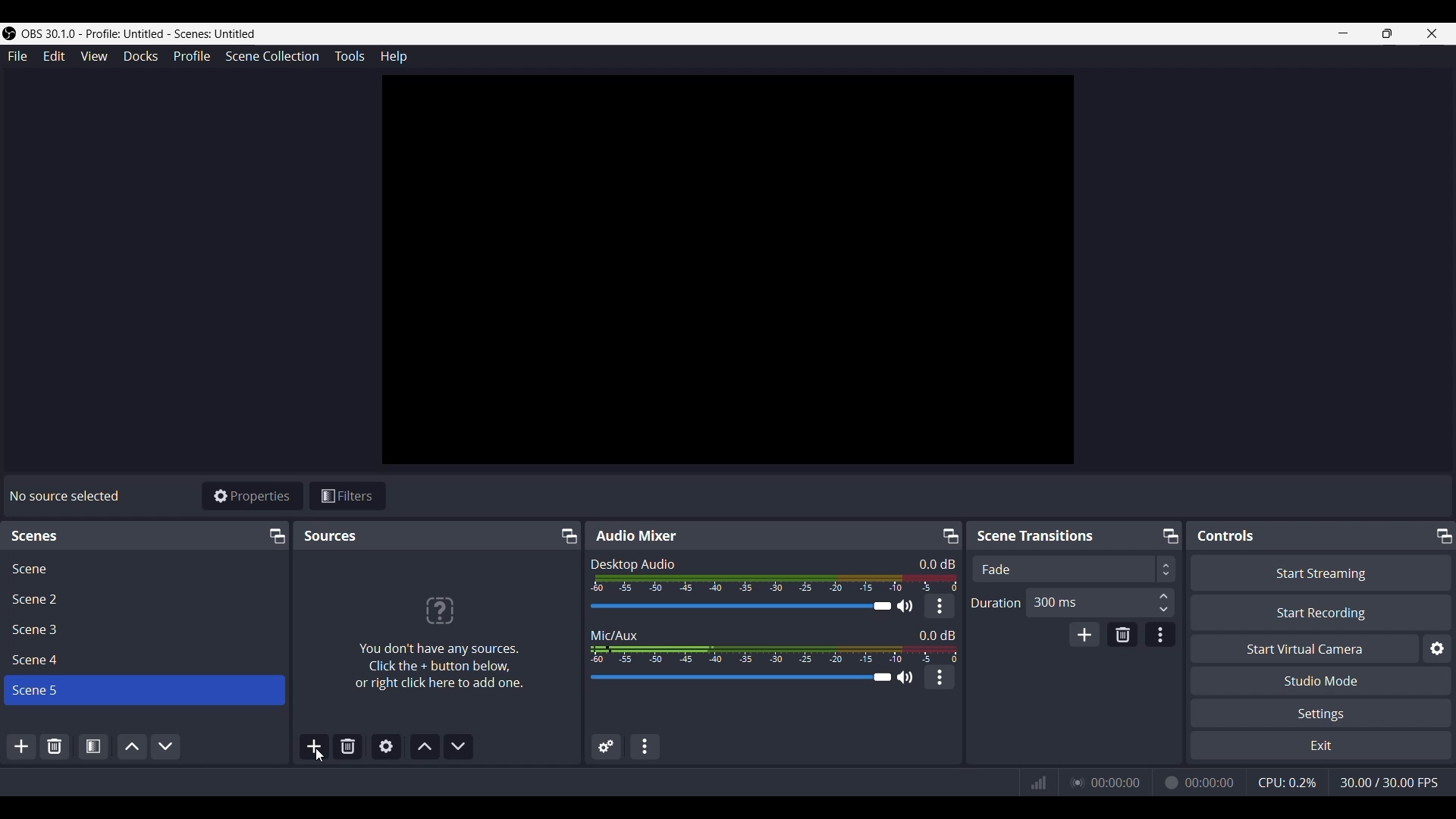  I want to click on Cursor, so click(319, 756).